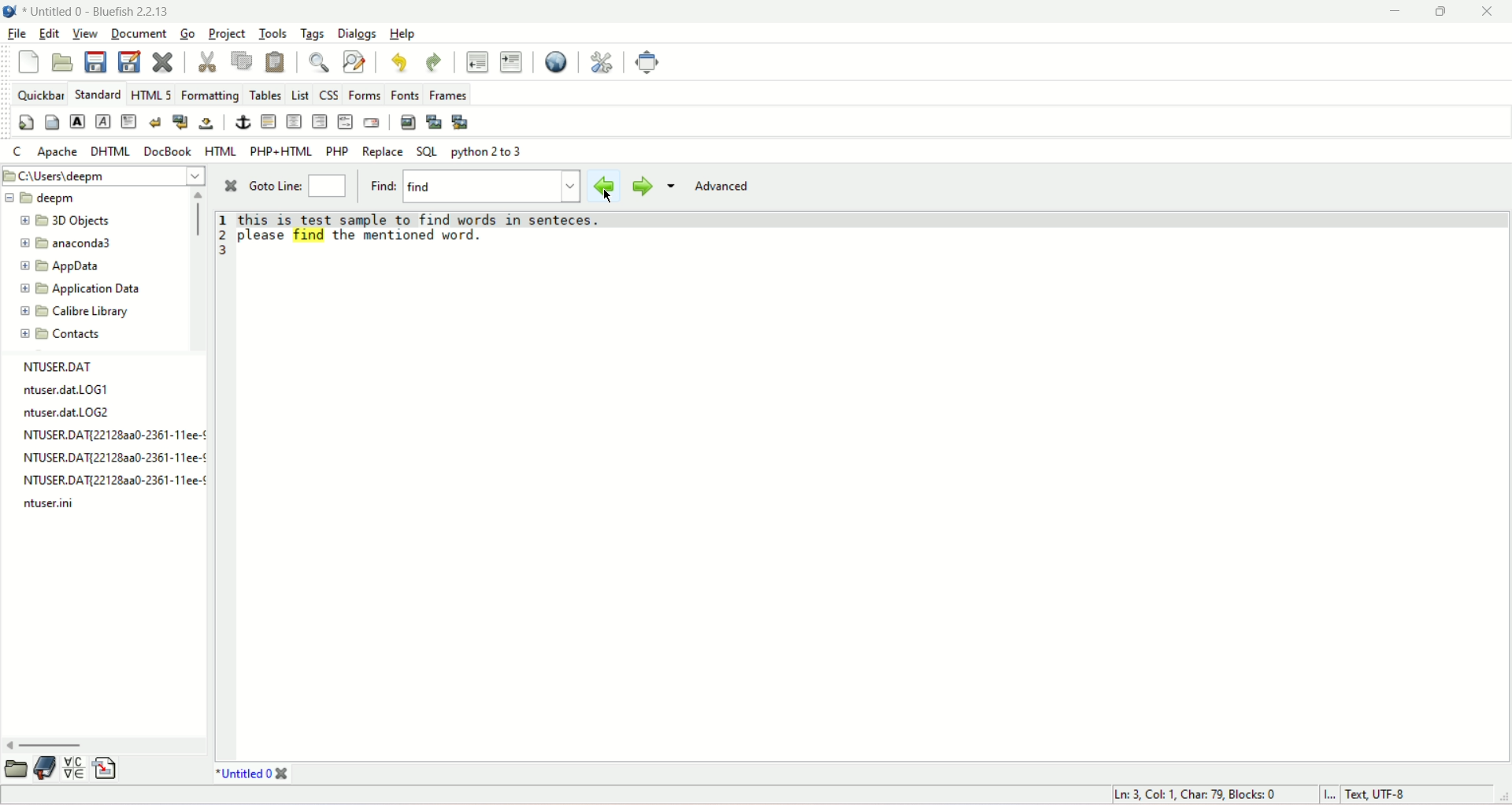  What do you see at coordinates (95, 61) in the screenshot?
I see `save current file` at bounding box center [95, 61].